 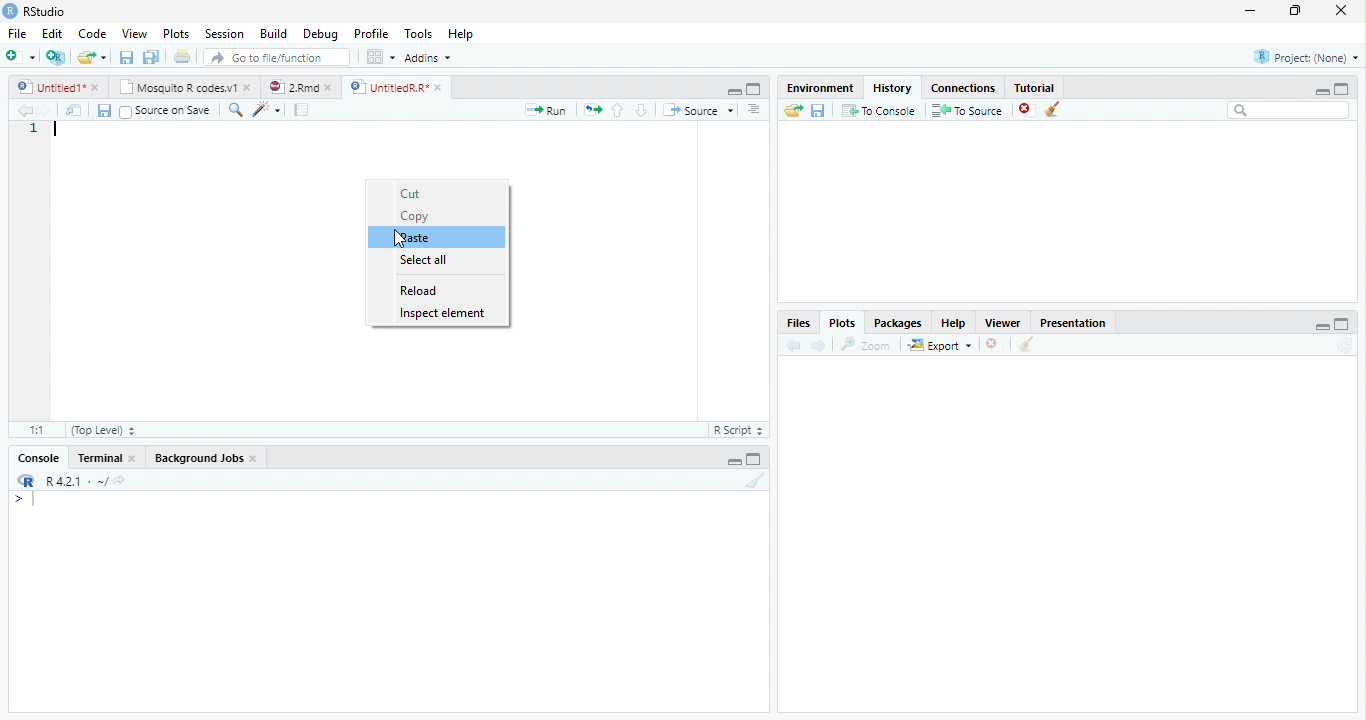 I want to click on Addins, so click(x=427, y=57).